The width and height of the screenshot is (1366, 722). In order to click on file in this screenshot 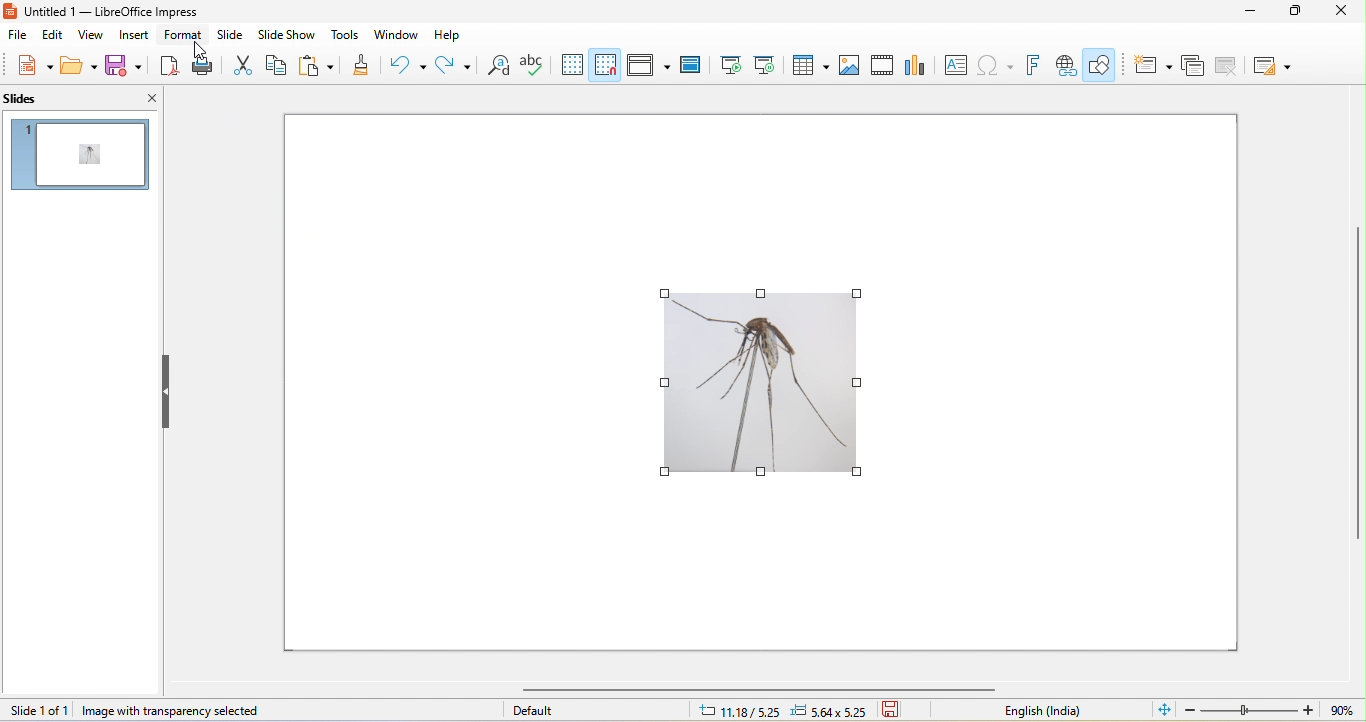, I will do `click(15, 35)`.